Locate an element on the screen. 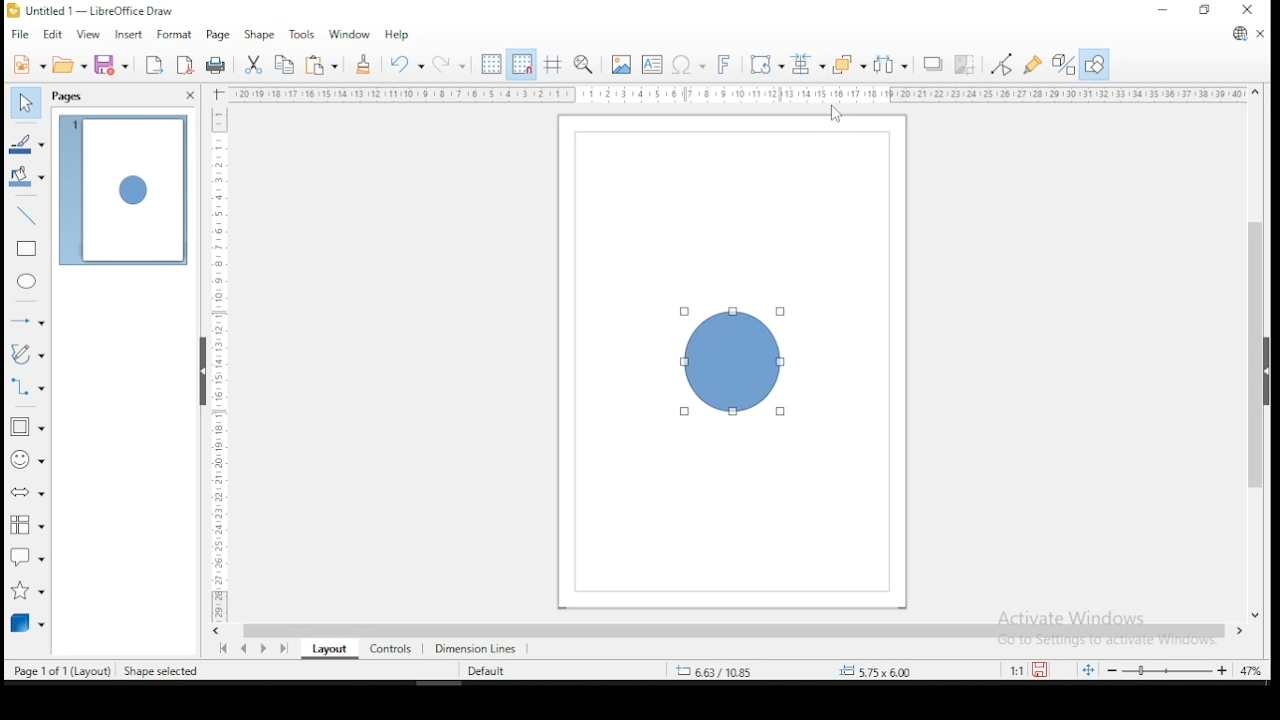  view is located at coordinates (88, 35).